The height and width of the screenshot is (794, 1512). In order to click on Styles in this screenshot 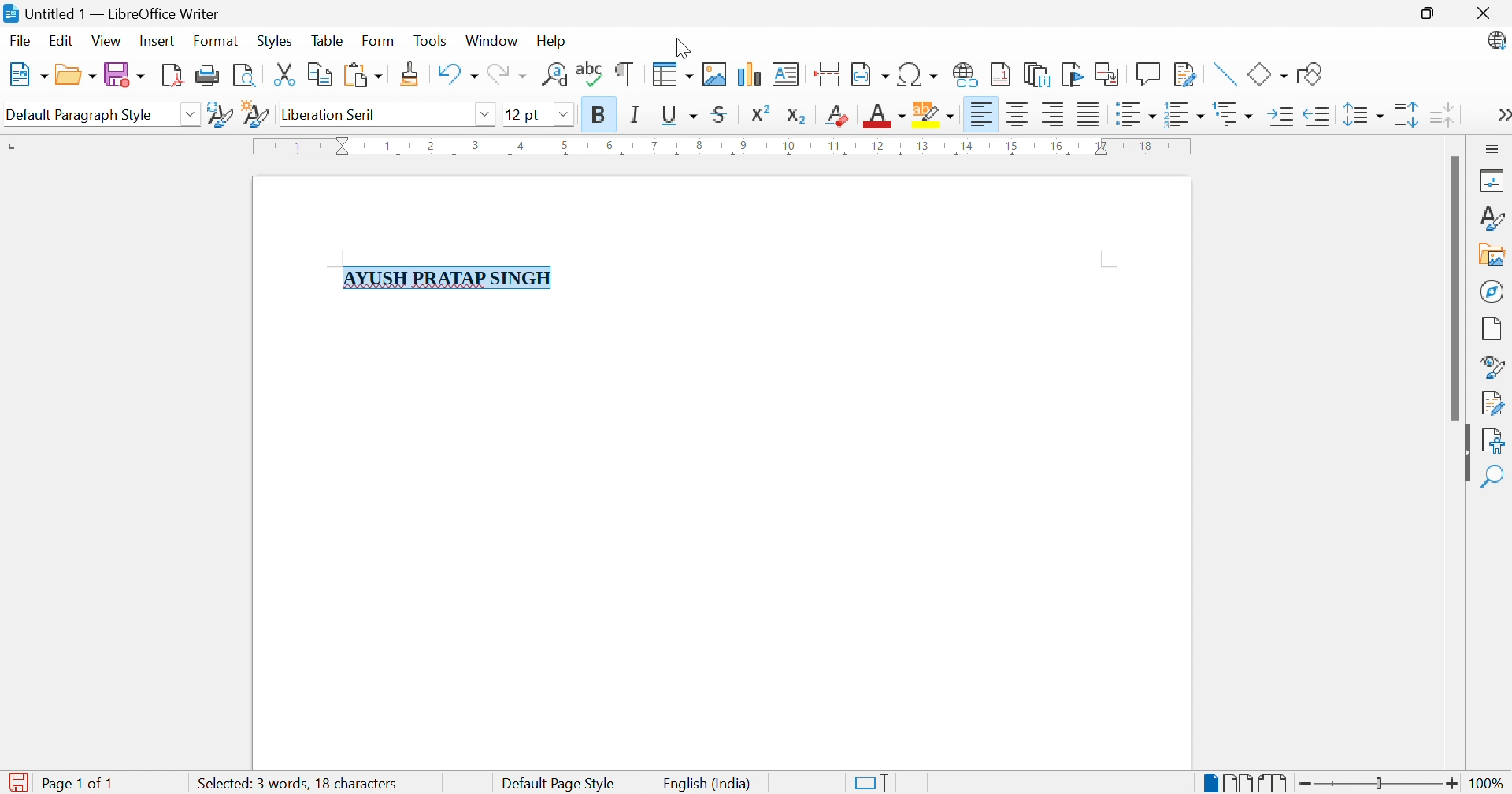, I will do `click(1495, 220)`.